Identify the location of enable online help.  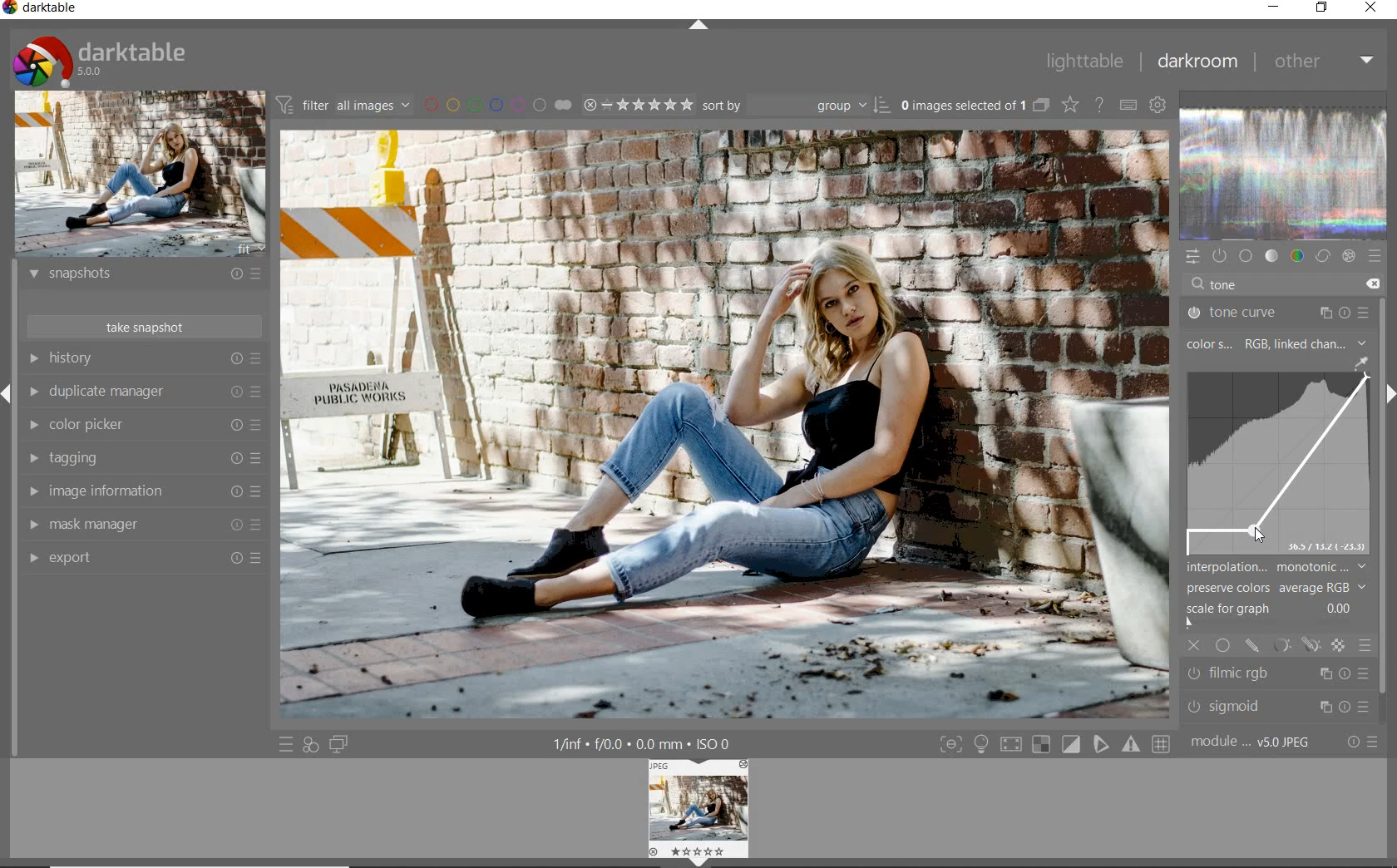
(1100, 106).